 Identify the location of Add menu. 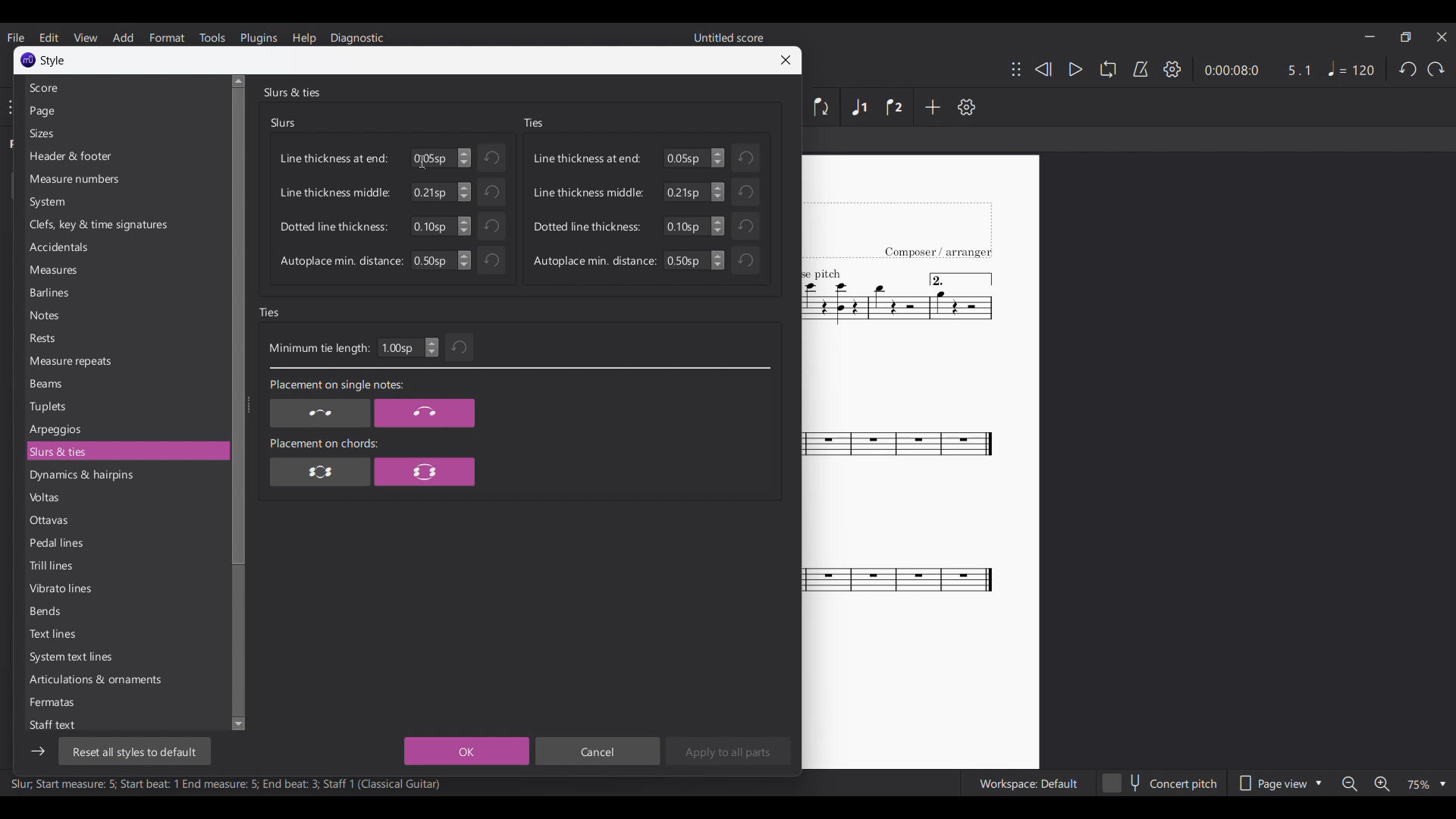
(124, 38).